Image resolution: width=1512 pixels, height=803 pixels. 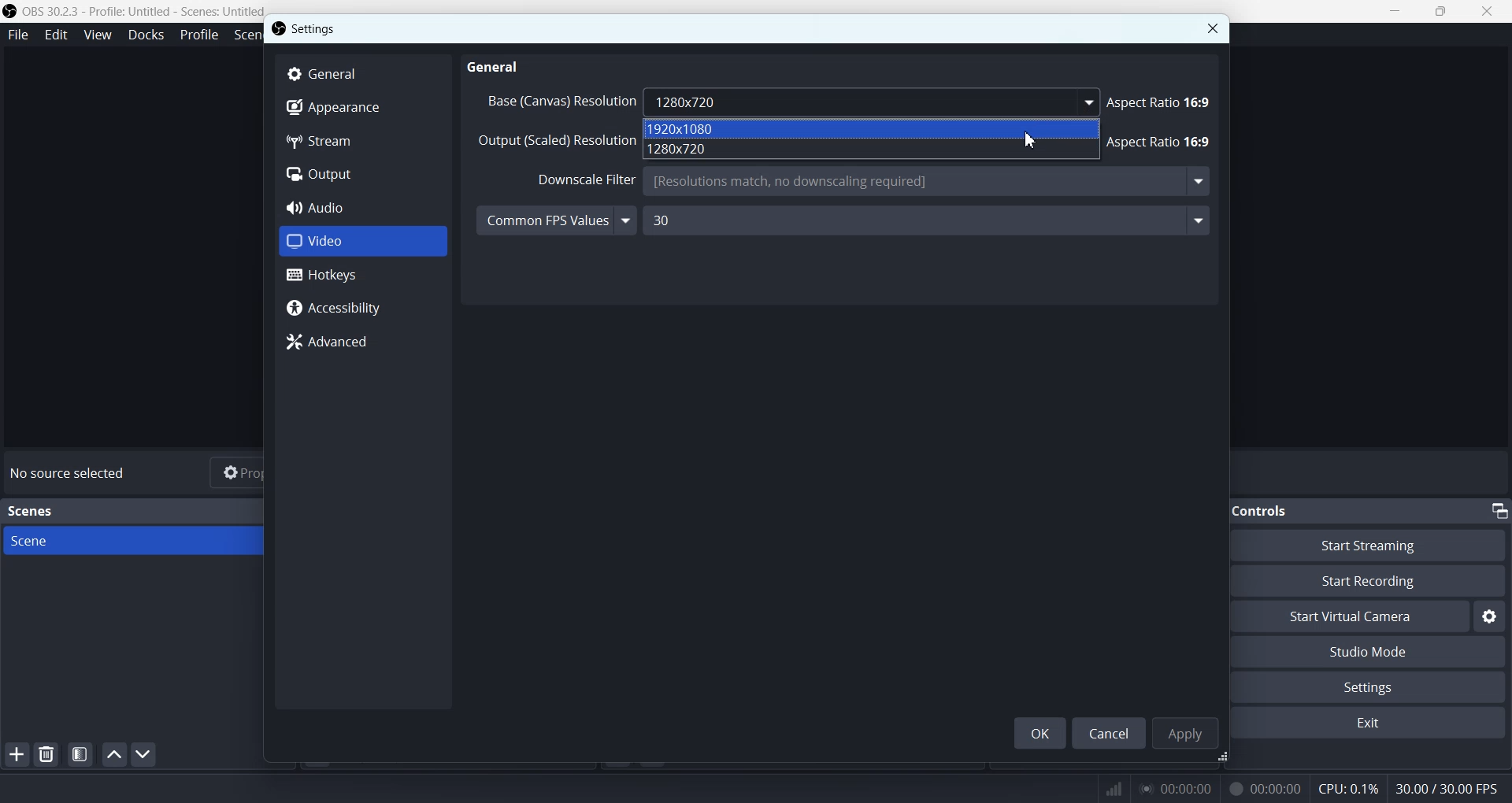 I want to click on Base (canvas) Resolution, so click(x=874, y=100).